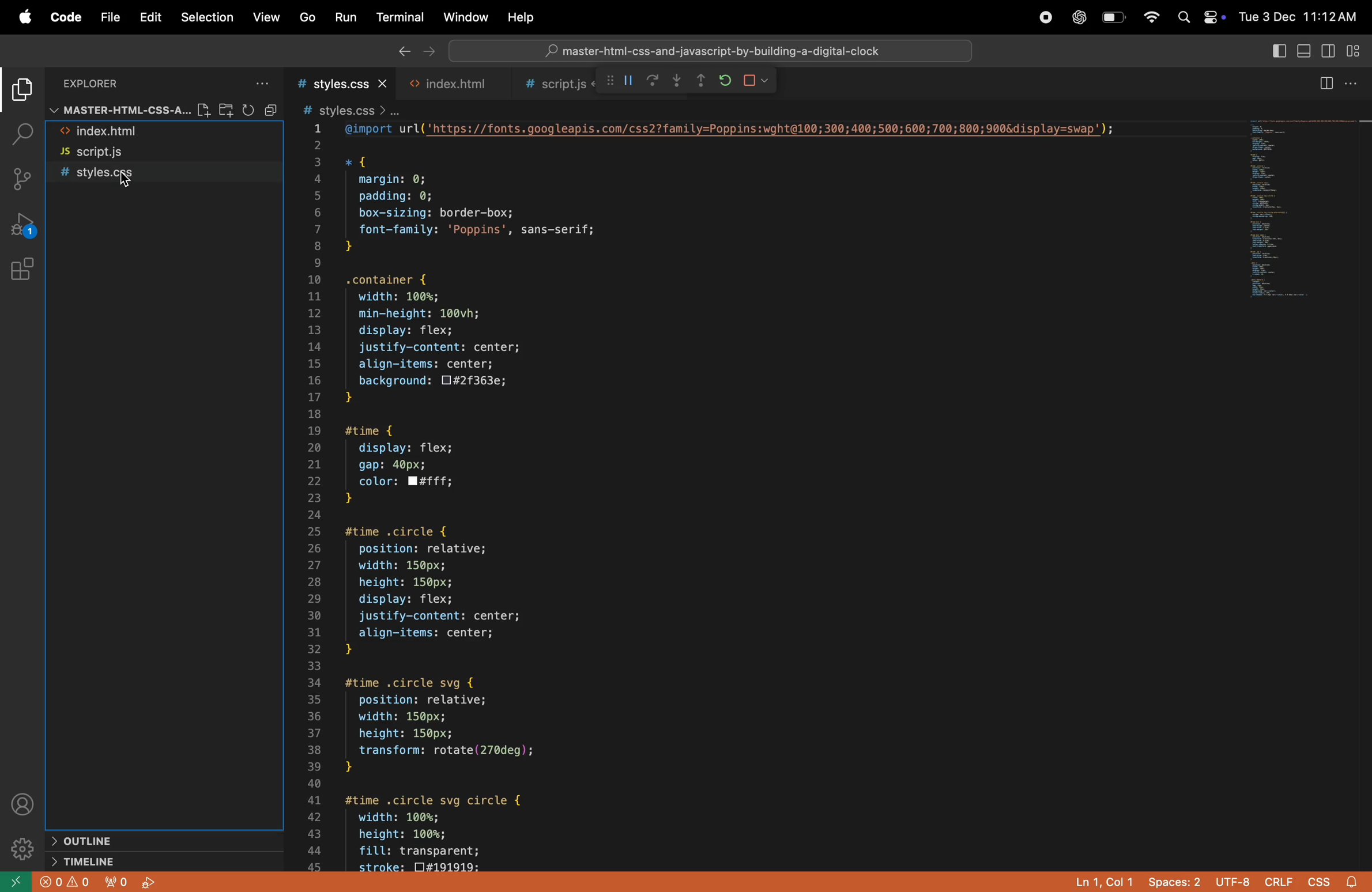  What do you see at coordinates (350, 109) in the screenshot?
I see `style css` at bounding box center [350, 109].